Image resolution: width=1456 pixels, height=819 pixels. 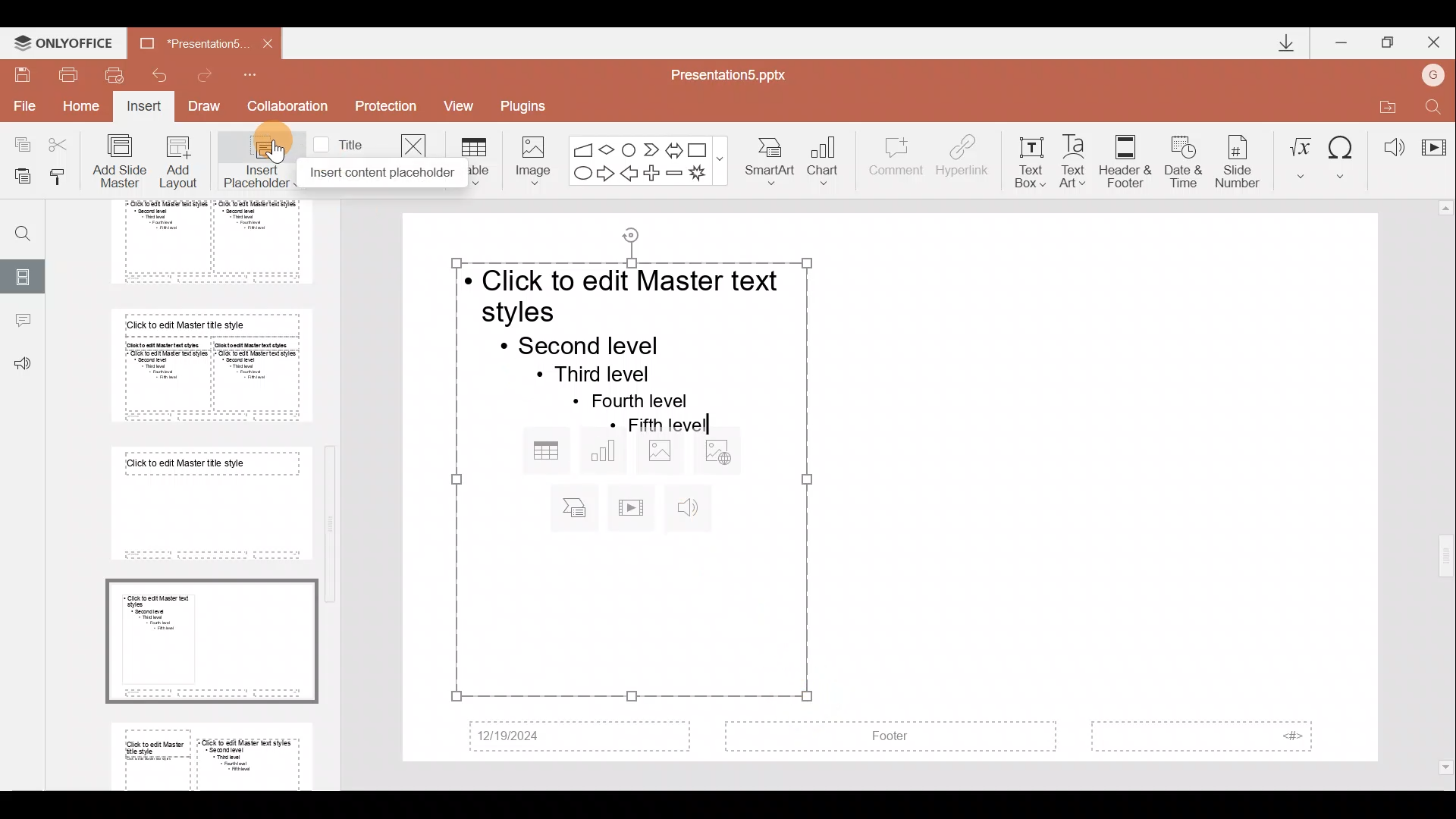 What do you see at coordinates (158, 74) in the screenshot?
I see `Undo` at bounding box center [158, 74].